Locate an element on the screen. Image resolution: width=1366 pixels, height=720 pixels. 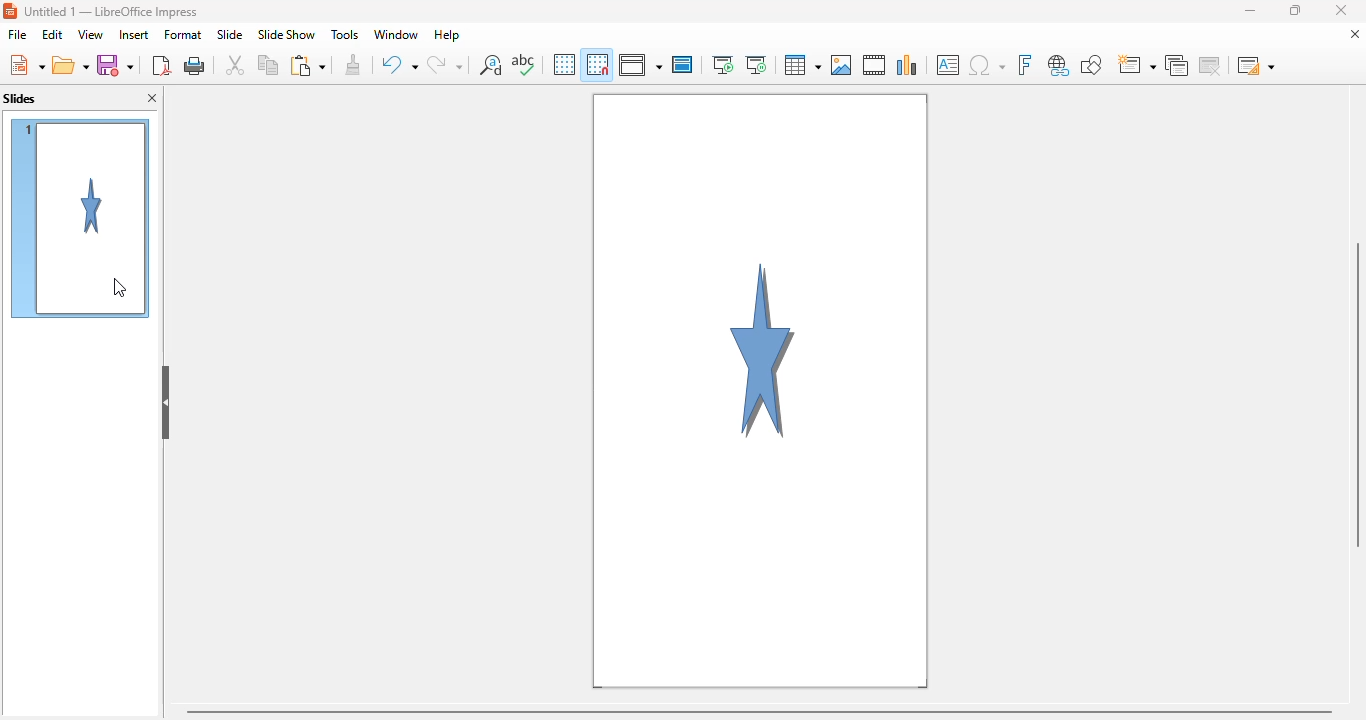
master slide is located at coordinates (684, 64).